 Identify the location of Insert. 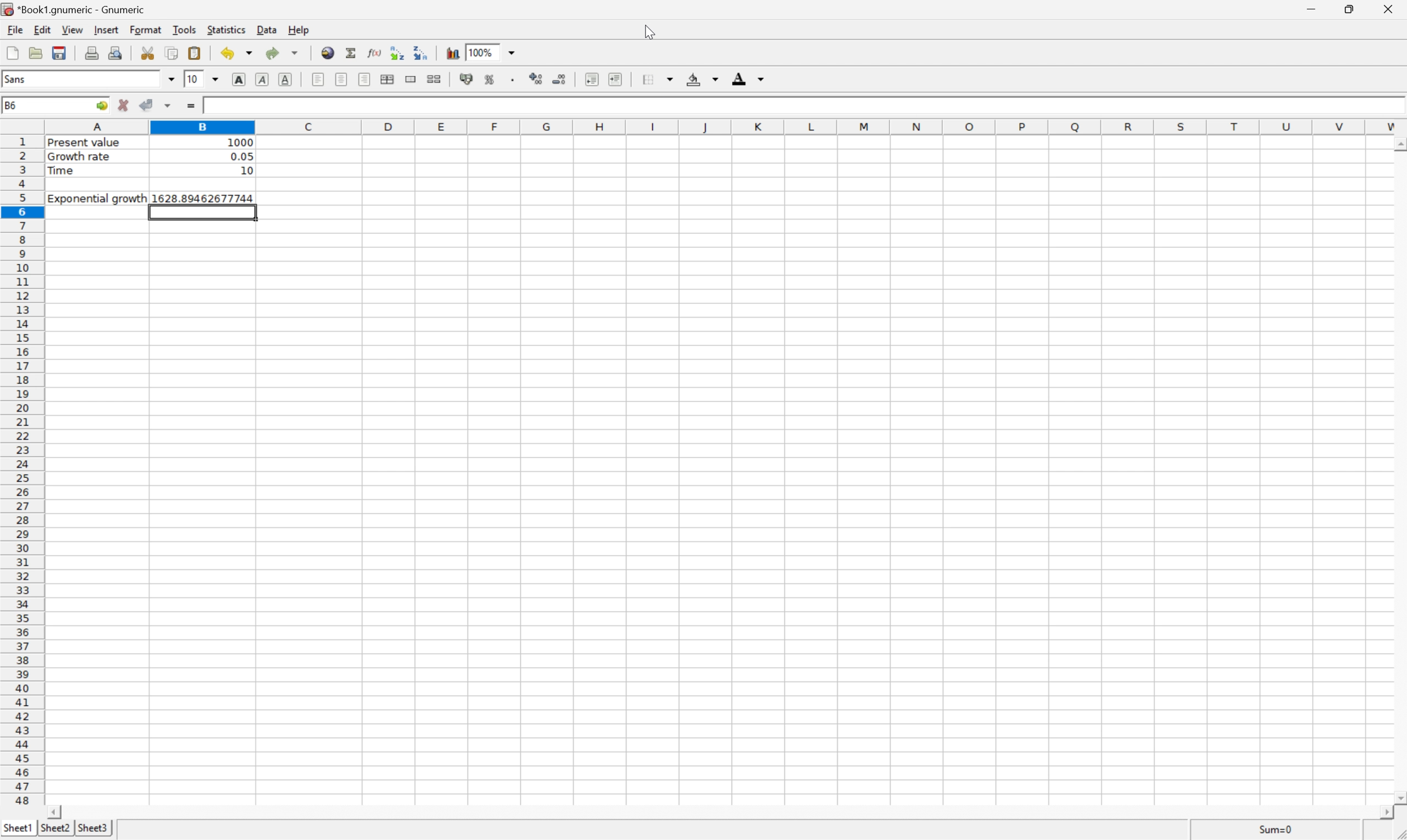
(106, 29).